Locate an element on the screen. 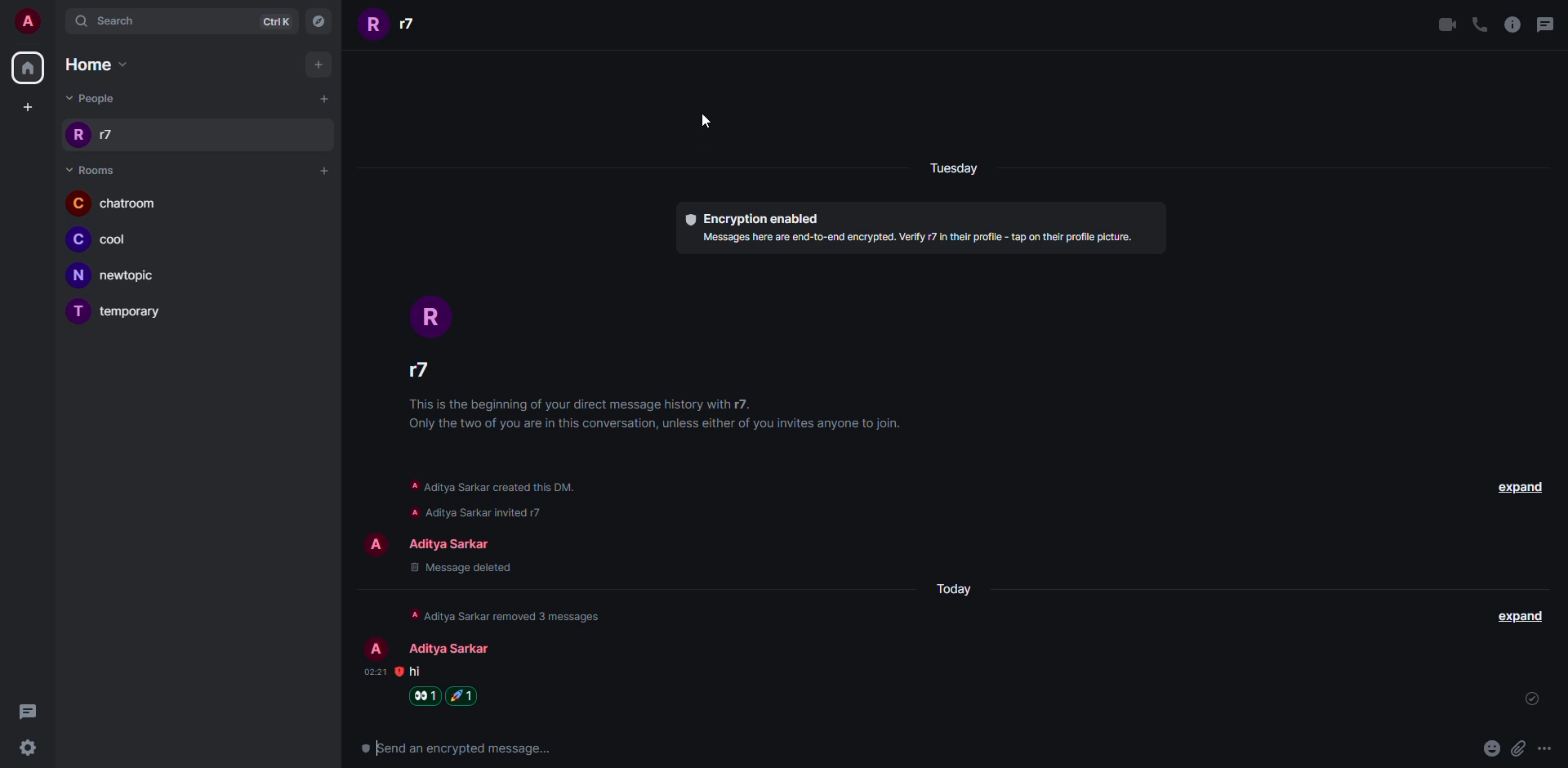 This screenshot has height=768, width=1568. info is located at coordinates (1512, 25).